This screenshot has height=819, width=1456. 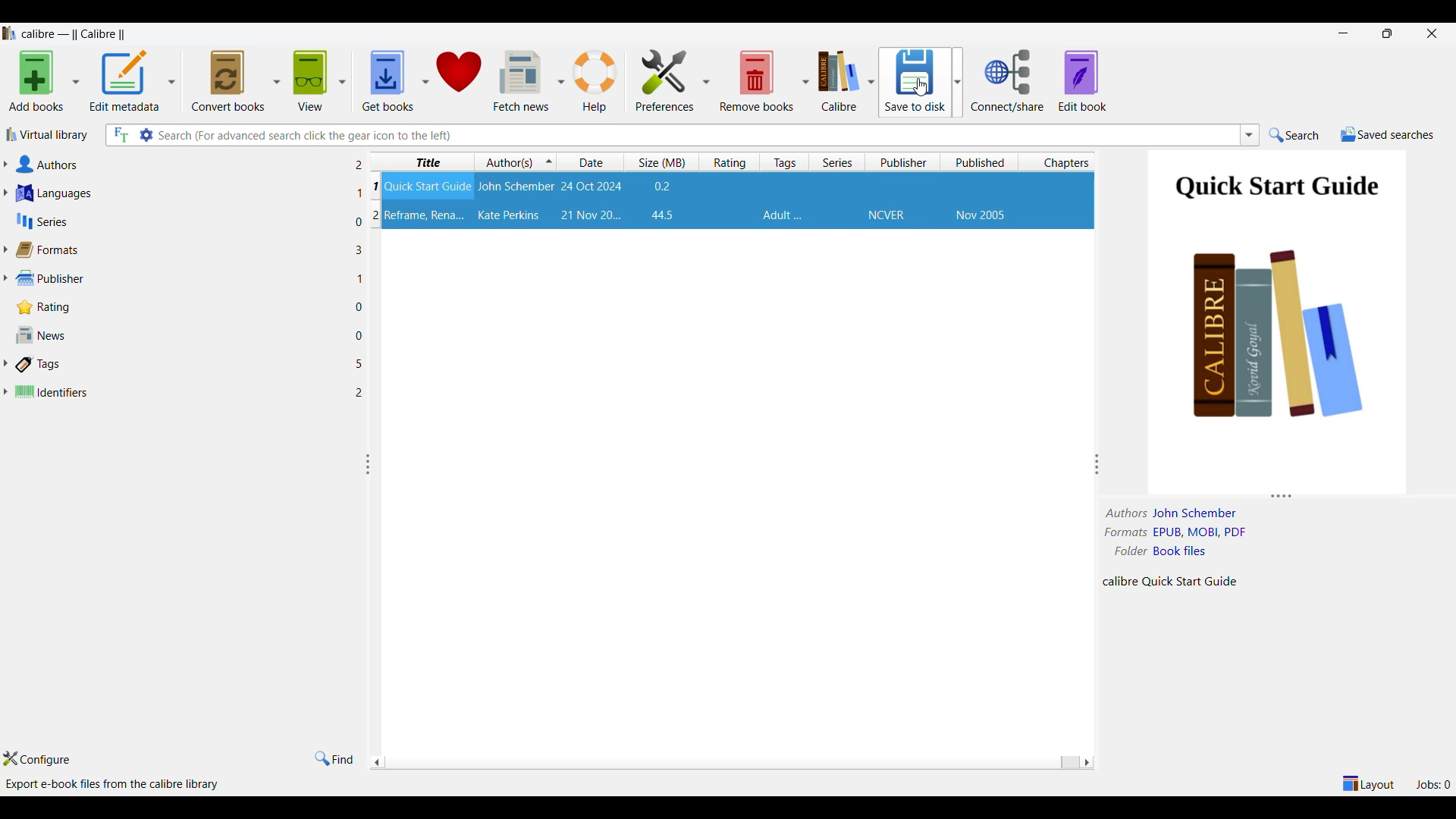 I want to click on Donate, so click(x=459, y=81).